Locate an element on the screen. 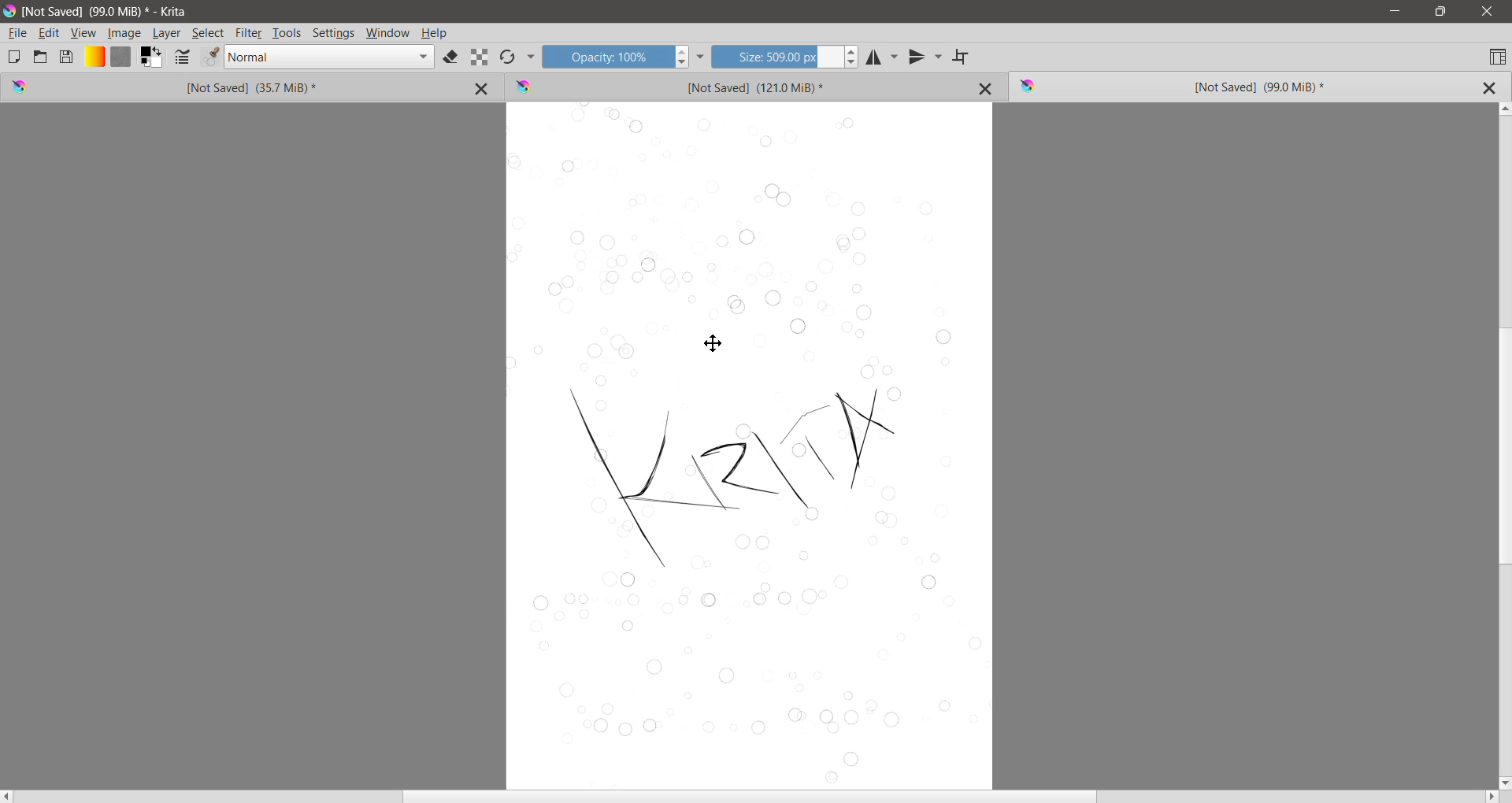 This screenshot has height=803, width=1512. View is located at coordinates (83, 33).